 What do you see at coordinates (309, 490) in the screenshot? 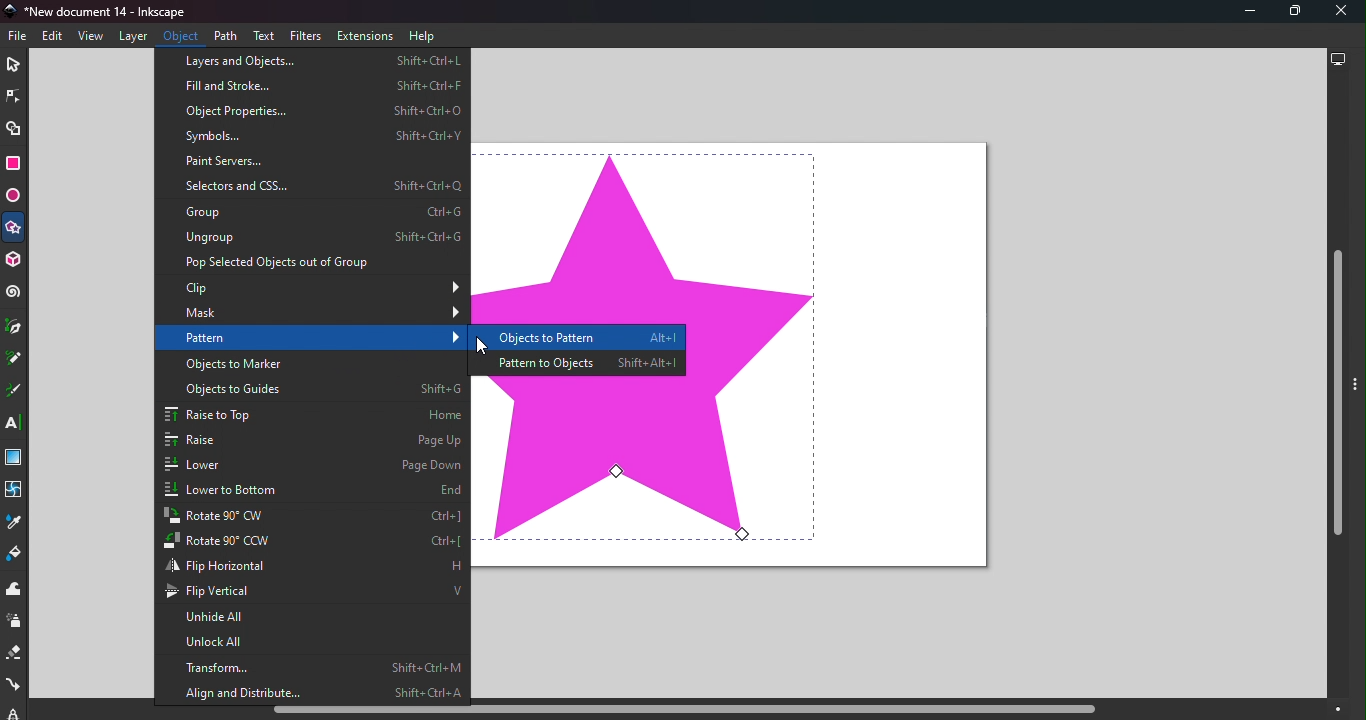
I see `Lower to bottom` at bounding box center [309, 490].